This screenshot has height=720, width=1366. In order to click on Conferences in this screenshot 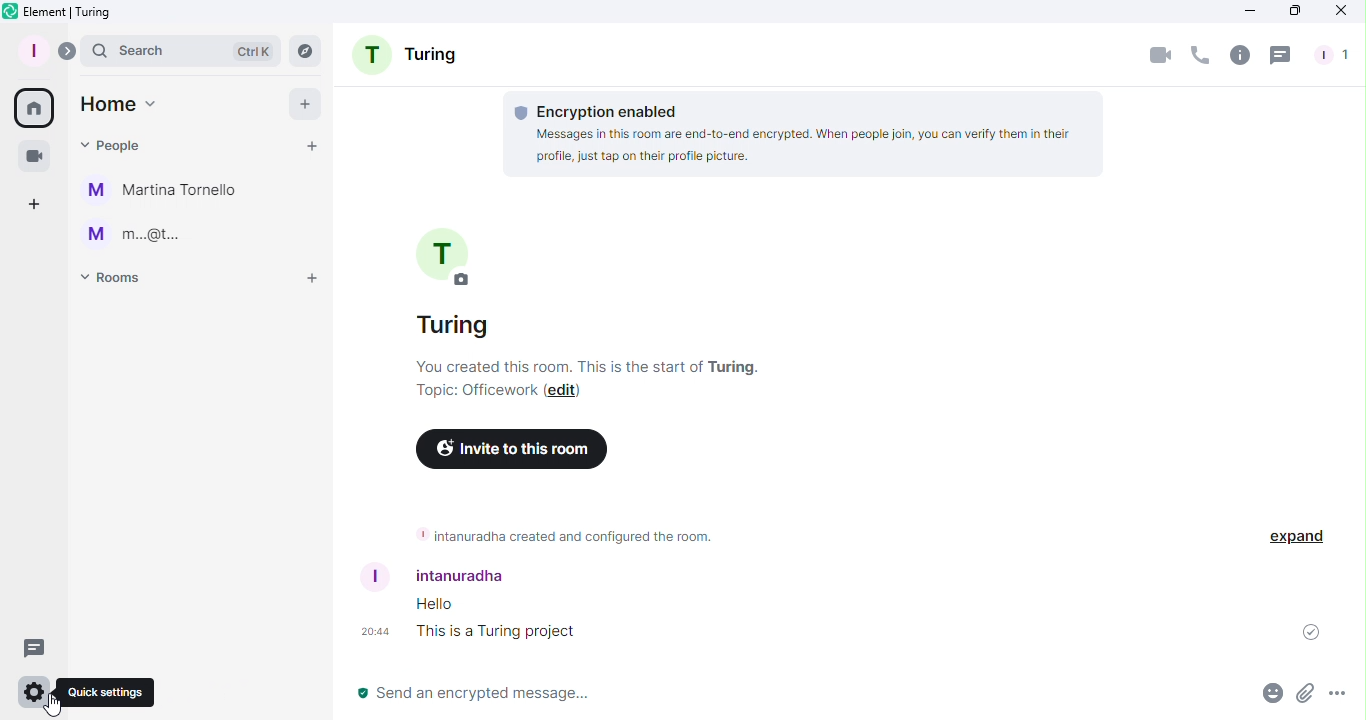, I will do `click(32, 152)`.